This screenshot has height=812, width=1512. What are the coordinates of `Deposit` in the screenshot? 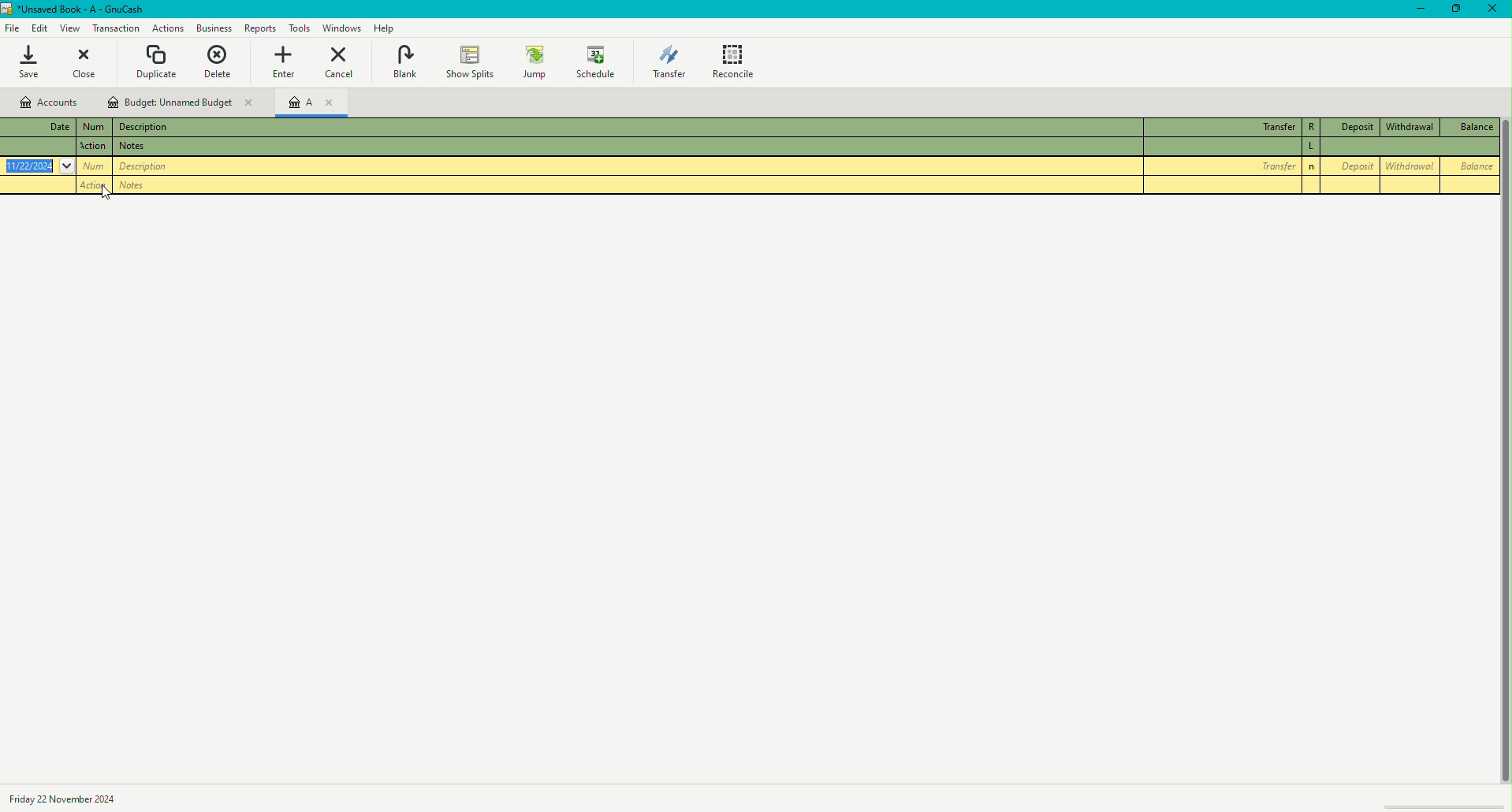 It's located at (1350, 128).